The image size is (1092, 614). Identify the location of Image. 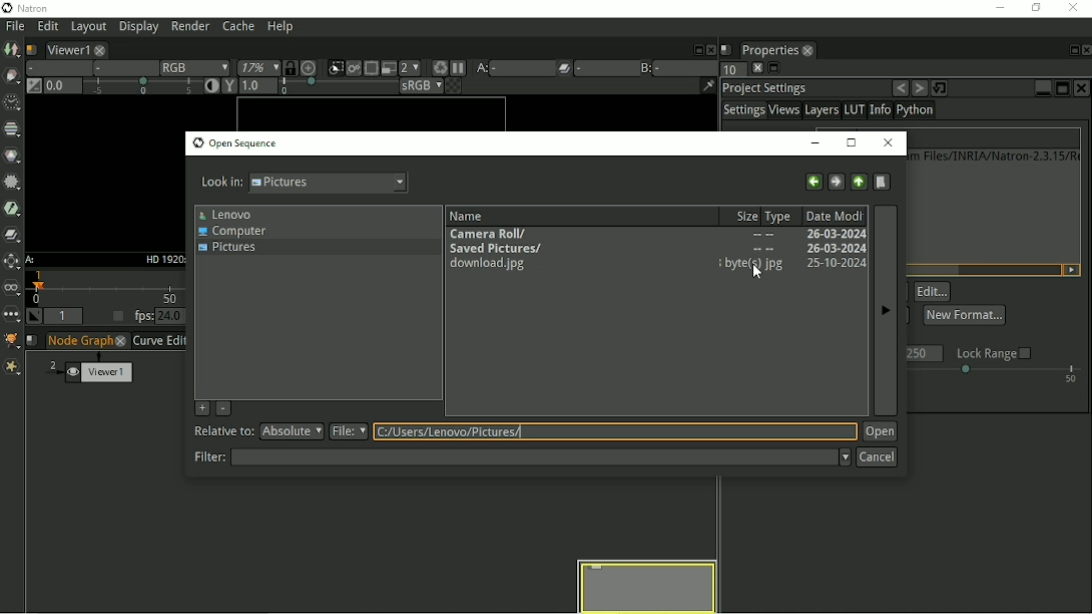
(12, 50).